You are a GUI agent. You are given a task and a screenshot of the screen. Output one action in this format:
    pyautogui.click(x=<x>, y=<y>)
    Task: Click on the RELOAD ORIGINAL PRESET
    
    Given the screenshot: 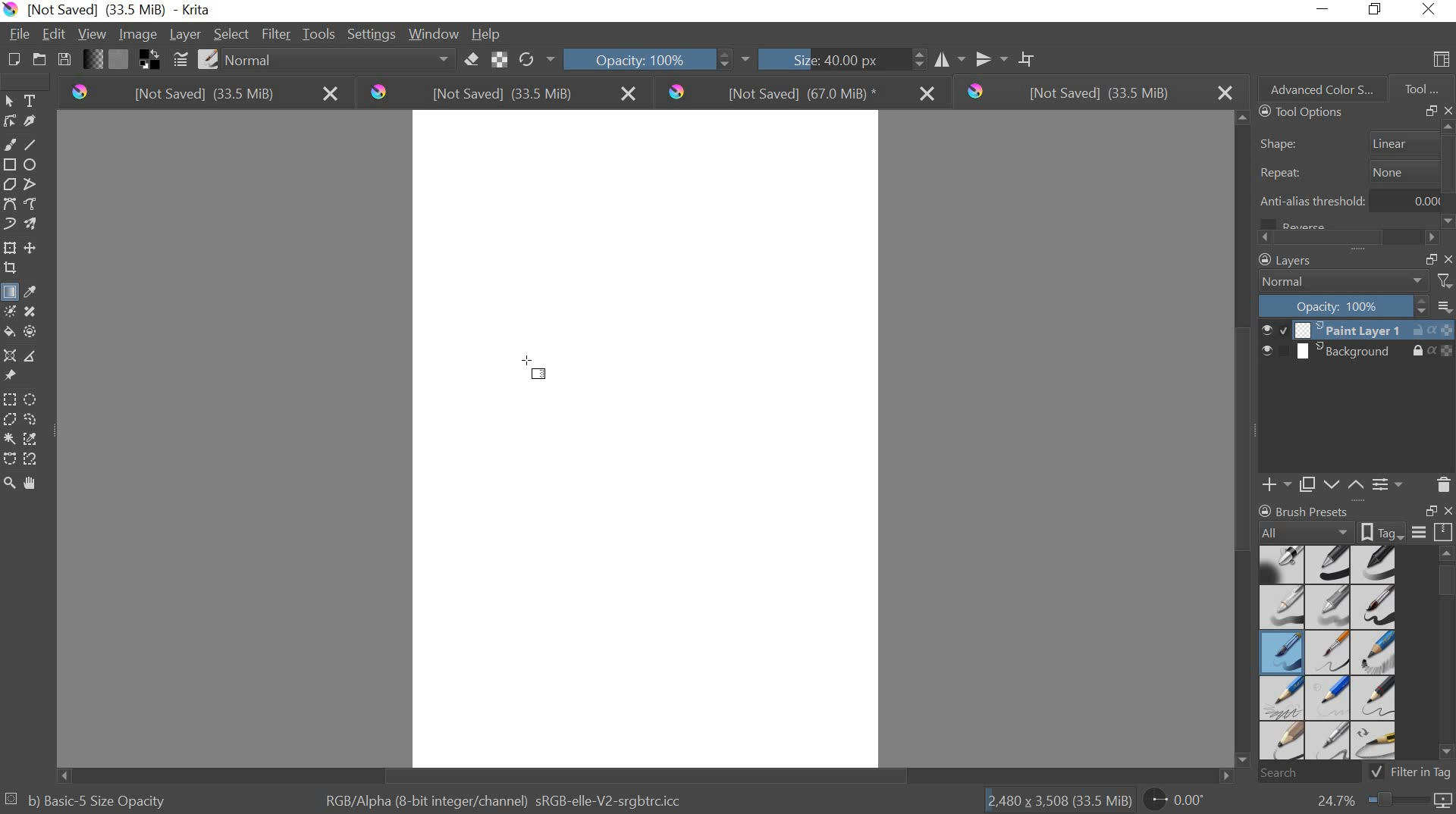 What is the action you would take?
    pyautogui.click(x=540, y=58)
    